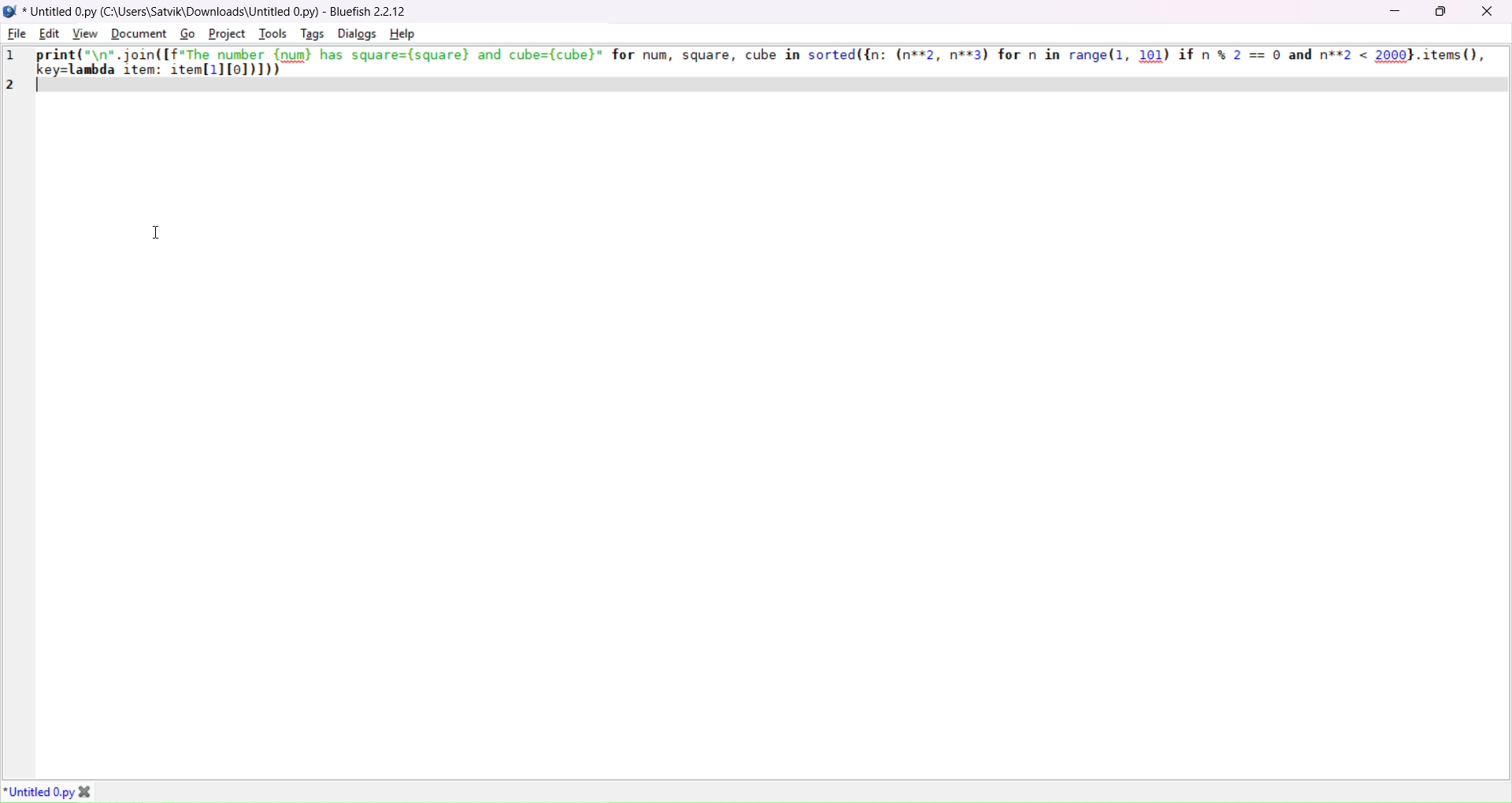 The height and width of the screenshot is (803, 1512). Describe the element at coordinates (15, 33) in the screenshot. I see `file` at that location.